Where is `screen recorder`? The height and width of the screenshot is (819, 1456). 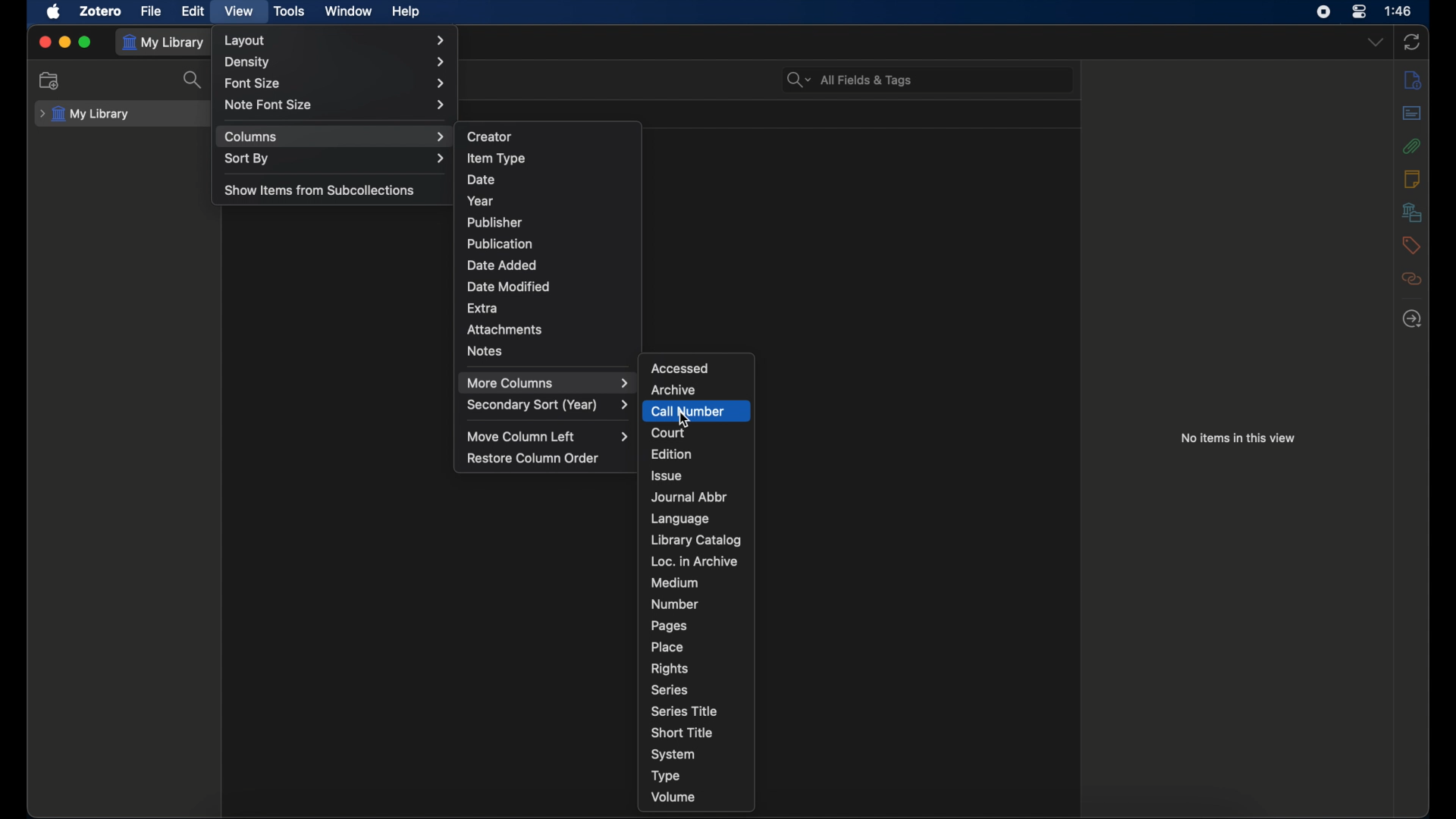 screen recorder is located at coordinates (1323, 11).